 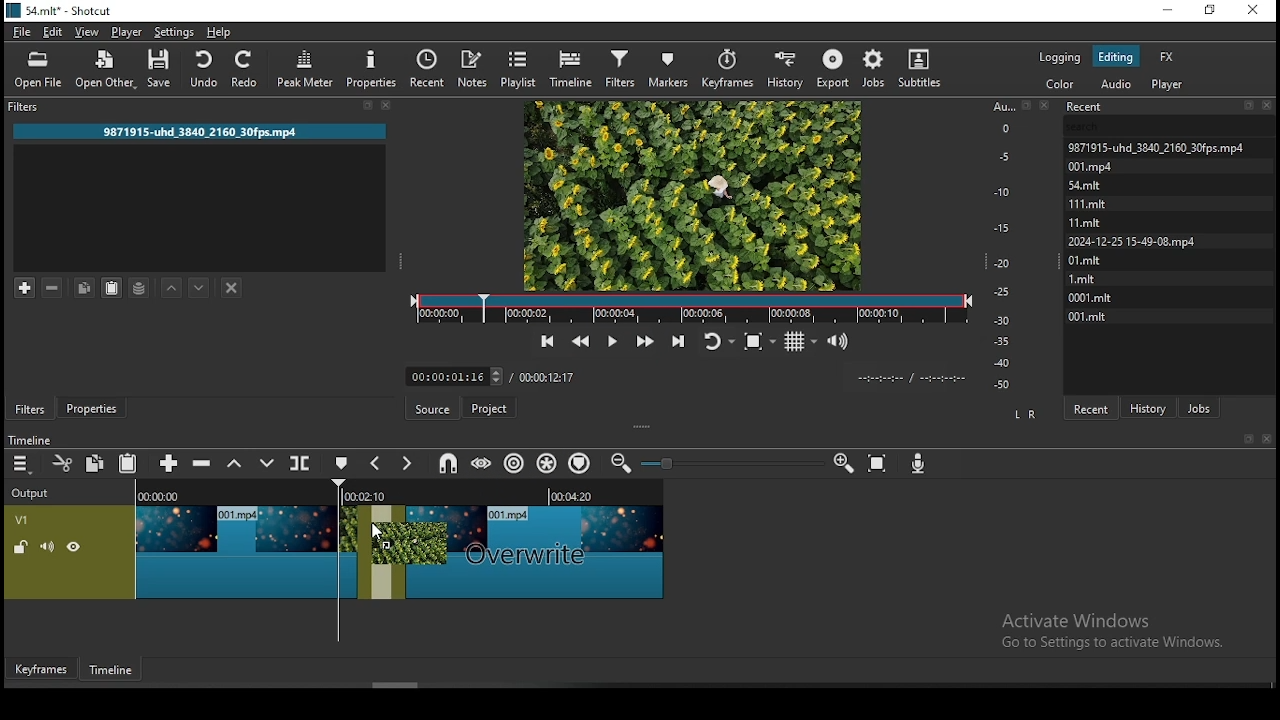 What do you see at coordinates (404, 465) in the screenshot?
I see `next marker` at bounding box center [404, 465].